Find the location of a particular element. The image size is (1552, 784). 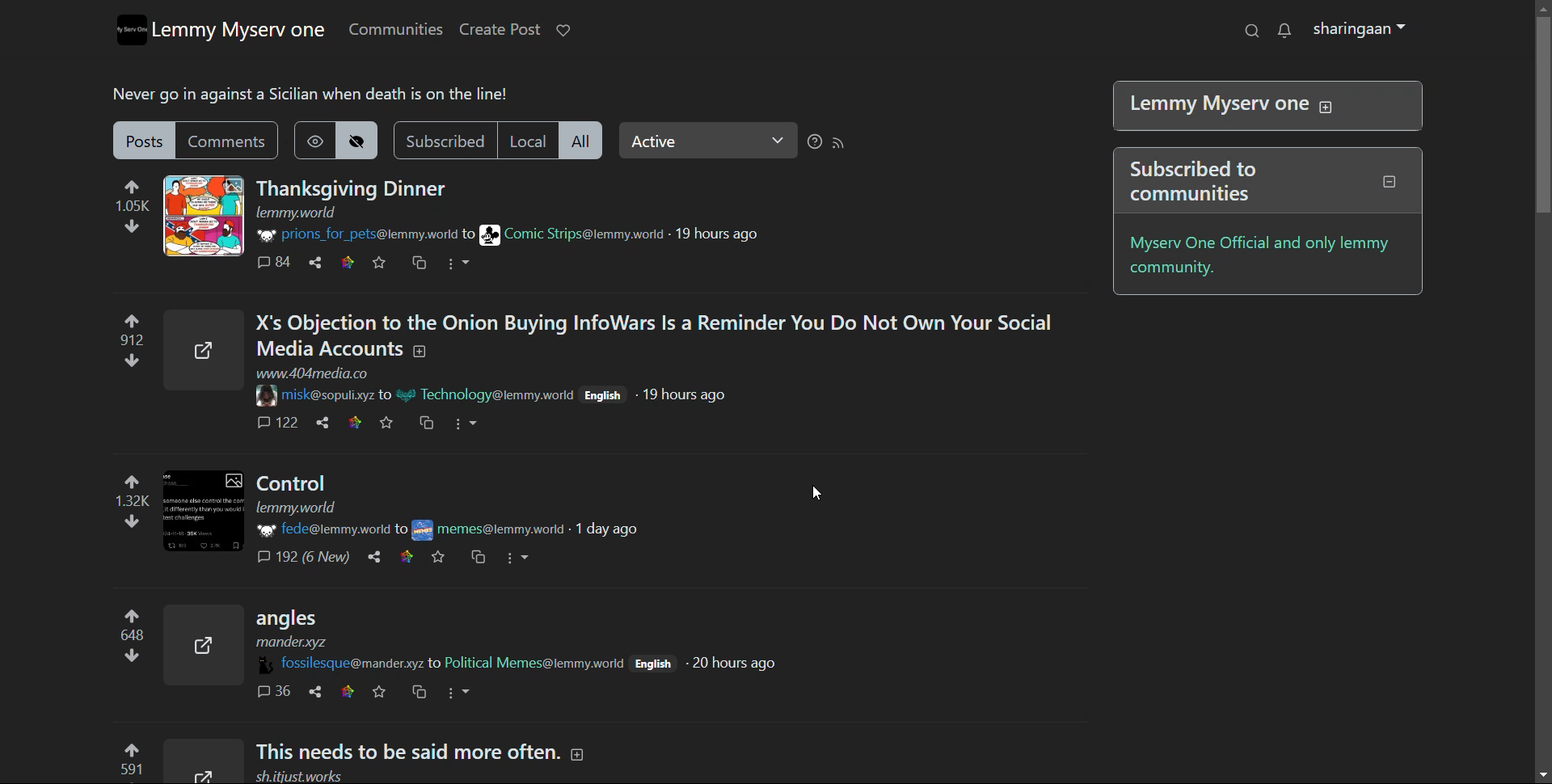

Never go in against a Sicilian when death is on the line! is located at coordinates (315, 96).